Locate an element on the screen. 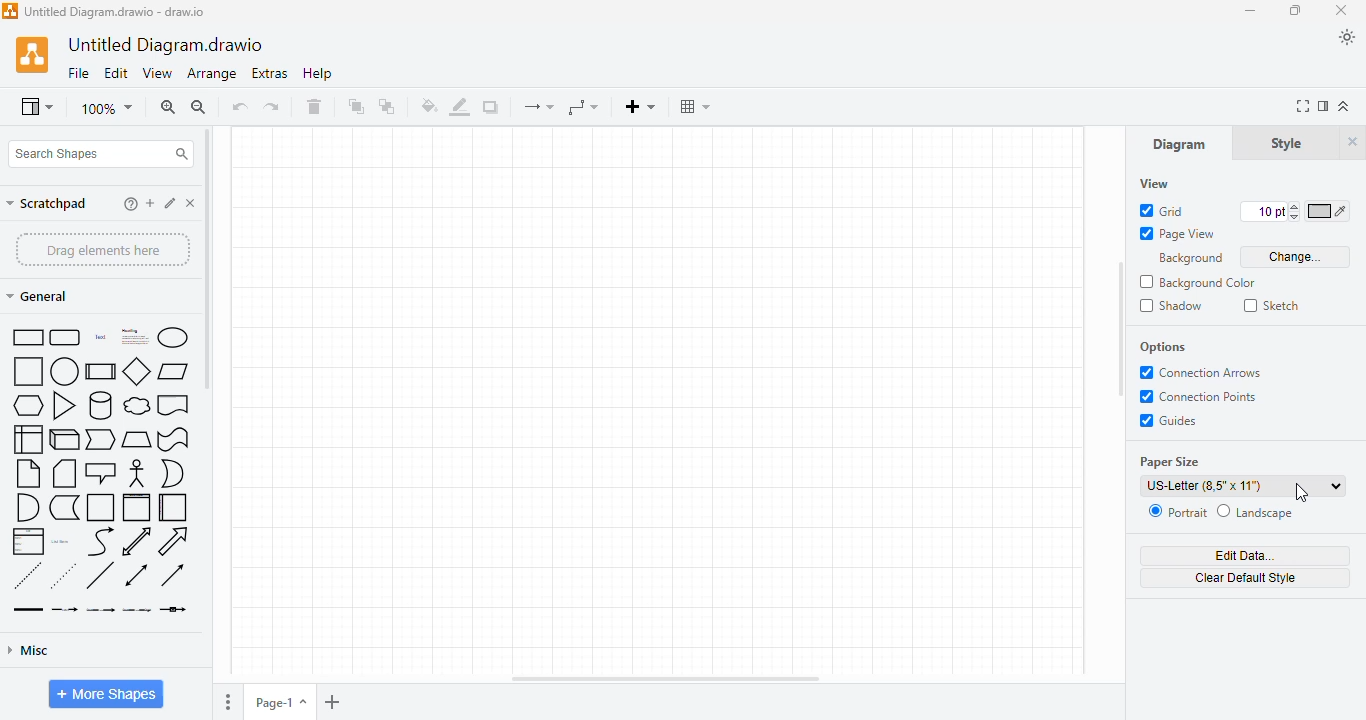 This screenshot has height=720, width=1366. sketch is located at coordinates (1272, 305).